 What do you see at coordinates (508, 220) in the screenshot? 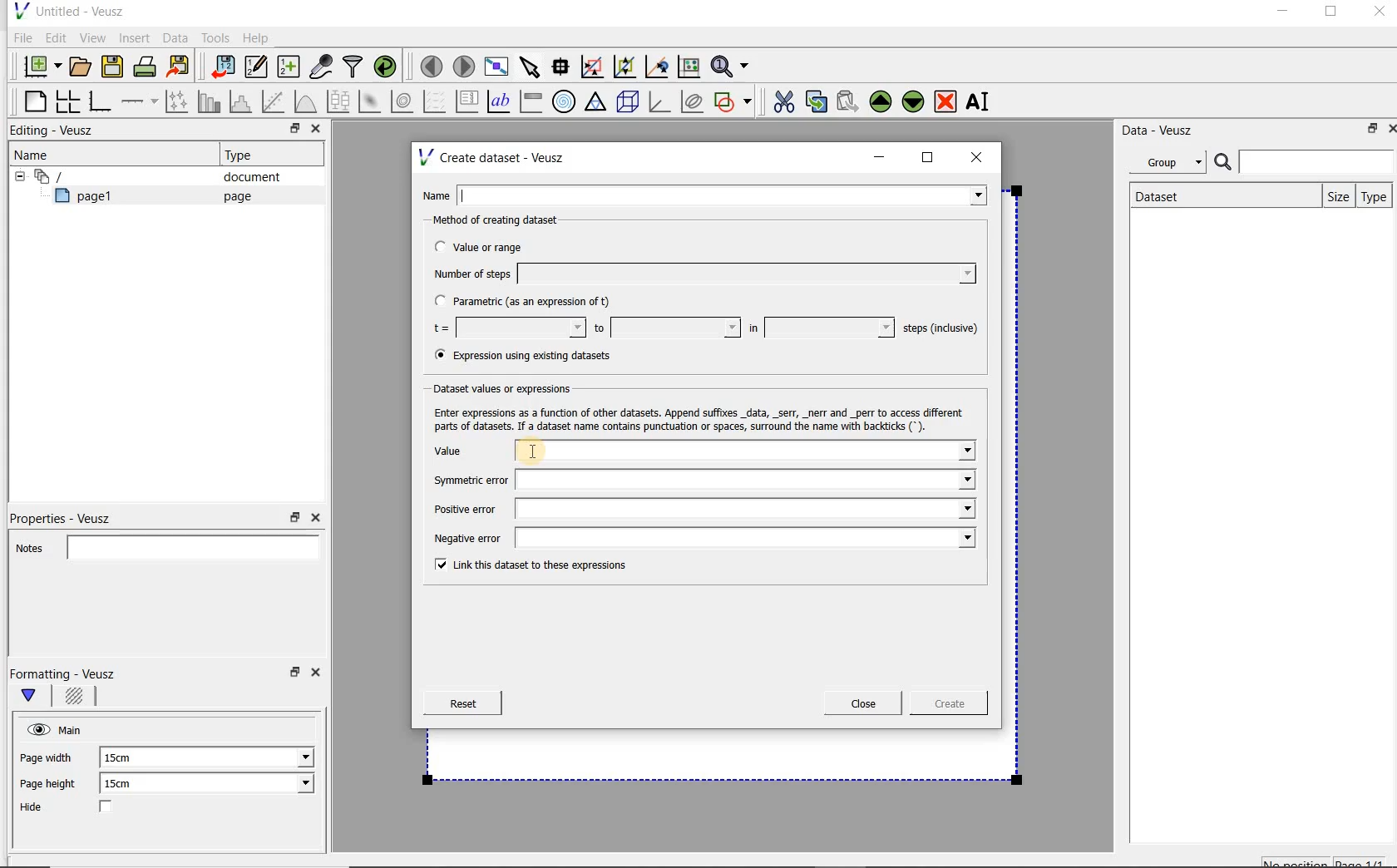
I see `Method of creating dataset:` at bounding box center [508, 220].